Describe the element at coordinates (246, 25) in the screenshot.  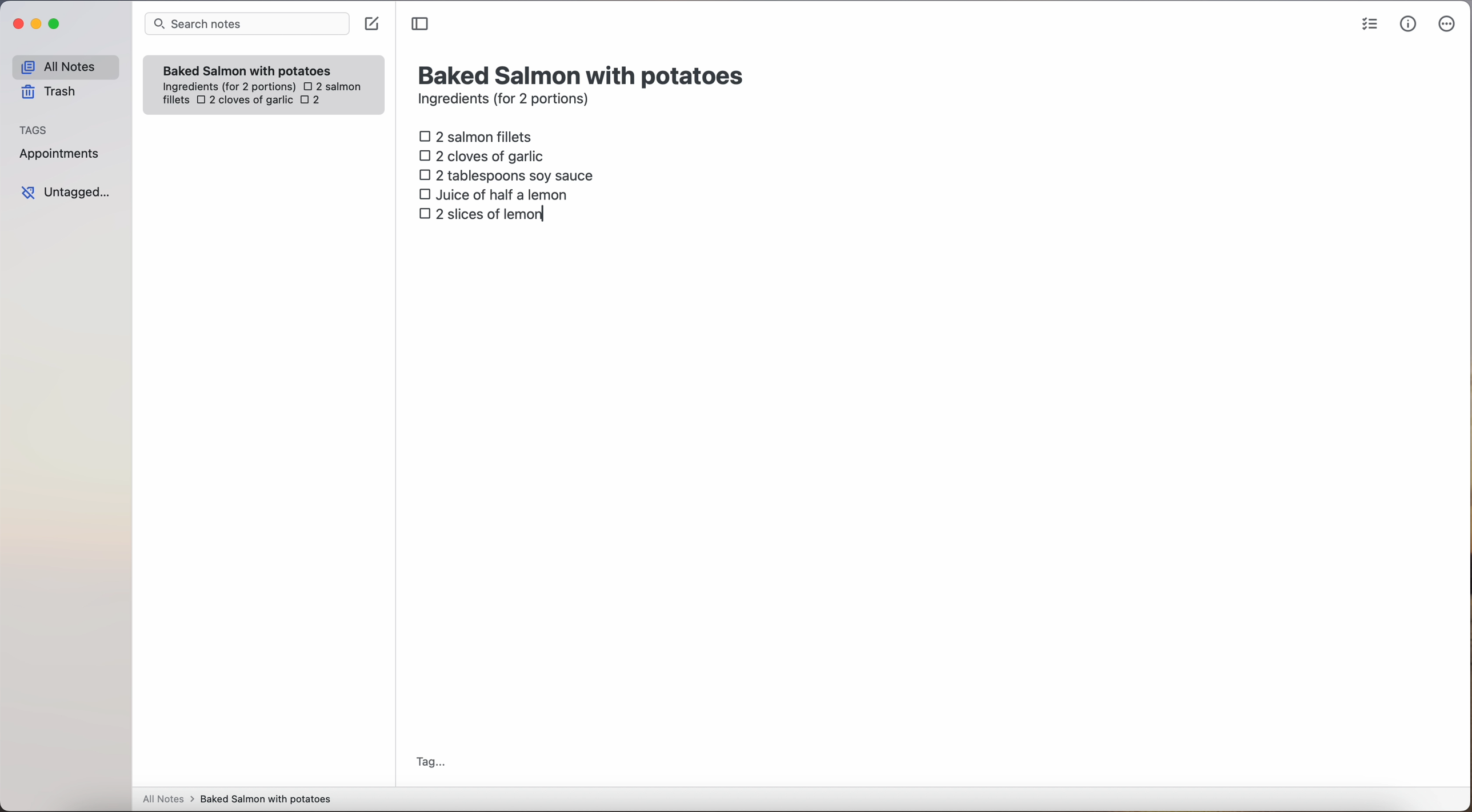
I see `search bar` at that location.